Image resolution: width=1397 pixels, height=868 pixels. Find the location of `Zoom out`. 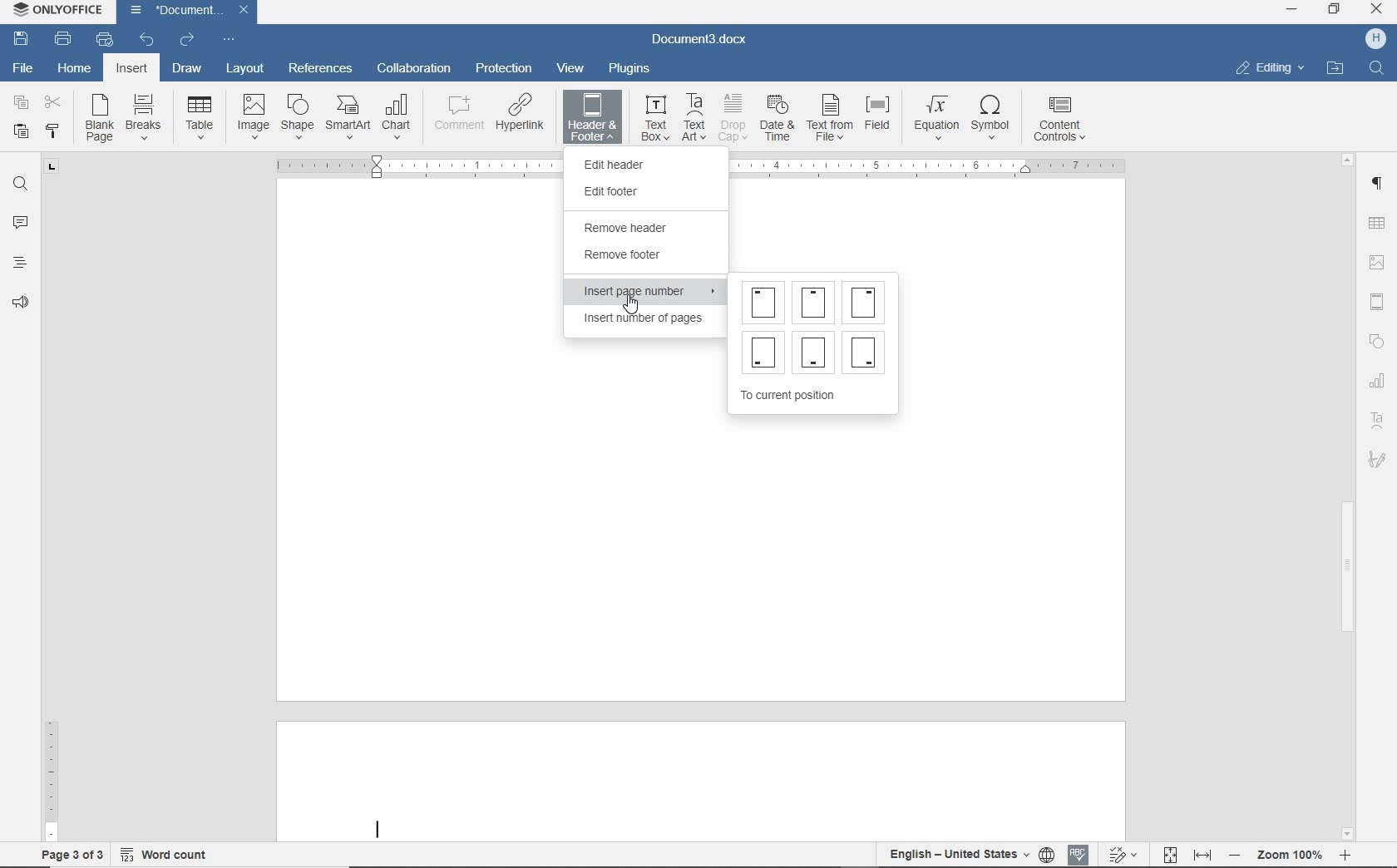

Zoom out is located at coordinates (1233, 854).